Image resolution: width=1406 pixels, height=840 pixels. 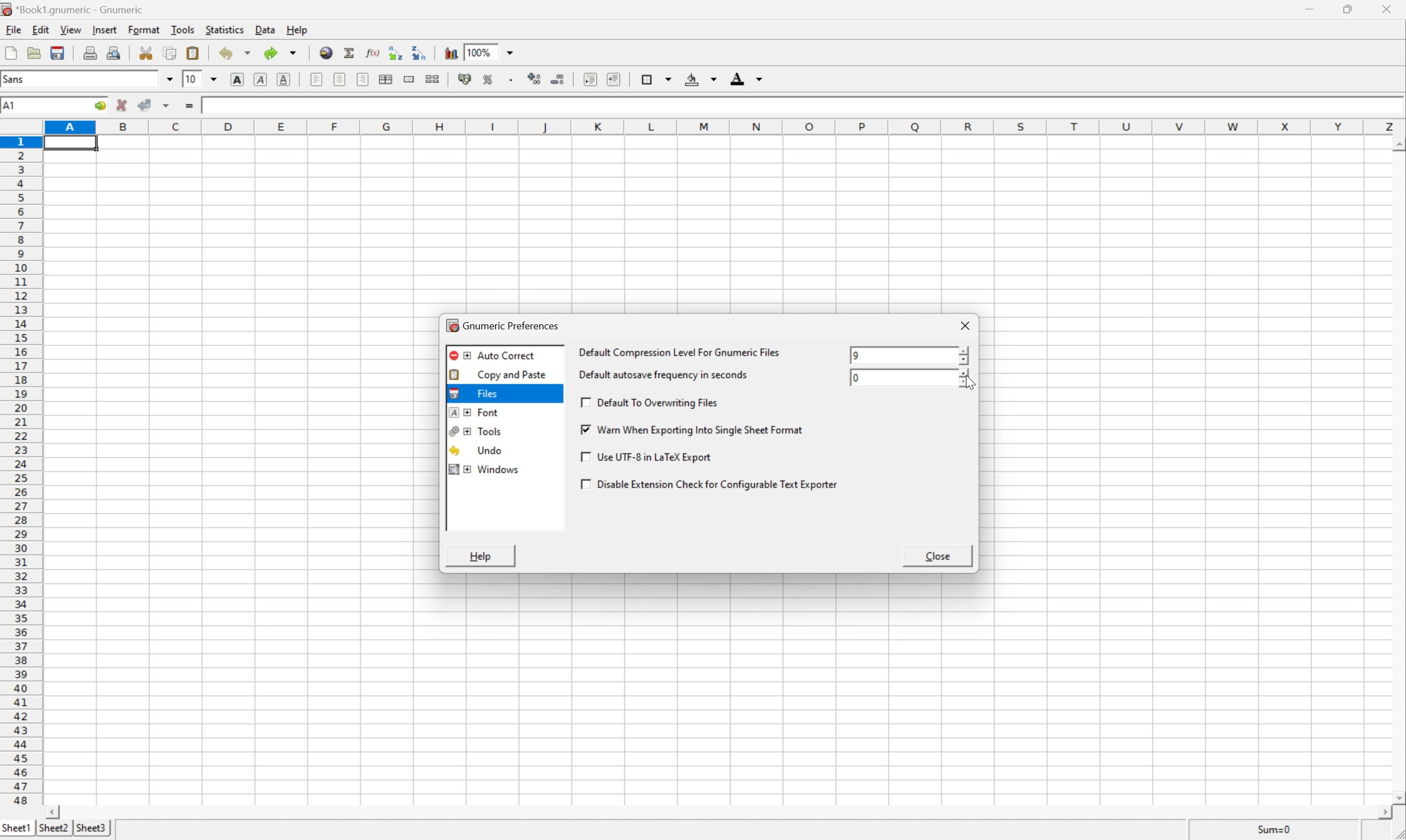 What do you see at coordinates (35, 52) in the screenshot?
I see `open a file` at bounding box center [35, 52].